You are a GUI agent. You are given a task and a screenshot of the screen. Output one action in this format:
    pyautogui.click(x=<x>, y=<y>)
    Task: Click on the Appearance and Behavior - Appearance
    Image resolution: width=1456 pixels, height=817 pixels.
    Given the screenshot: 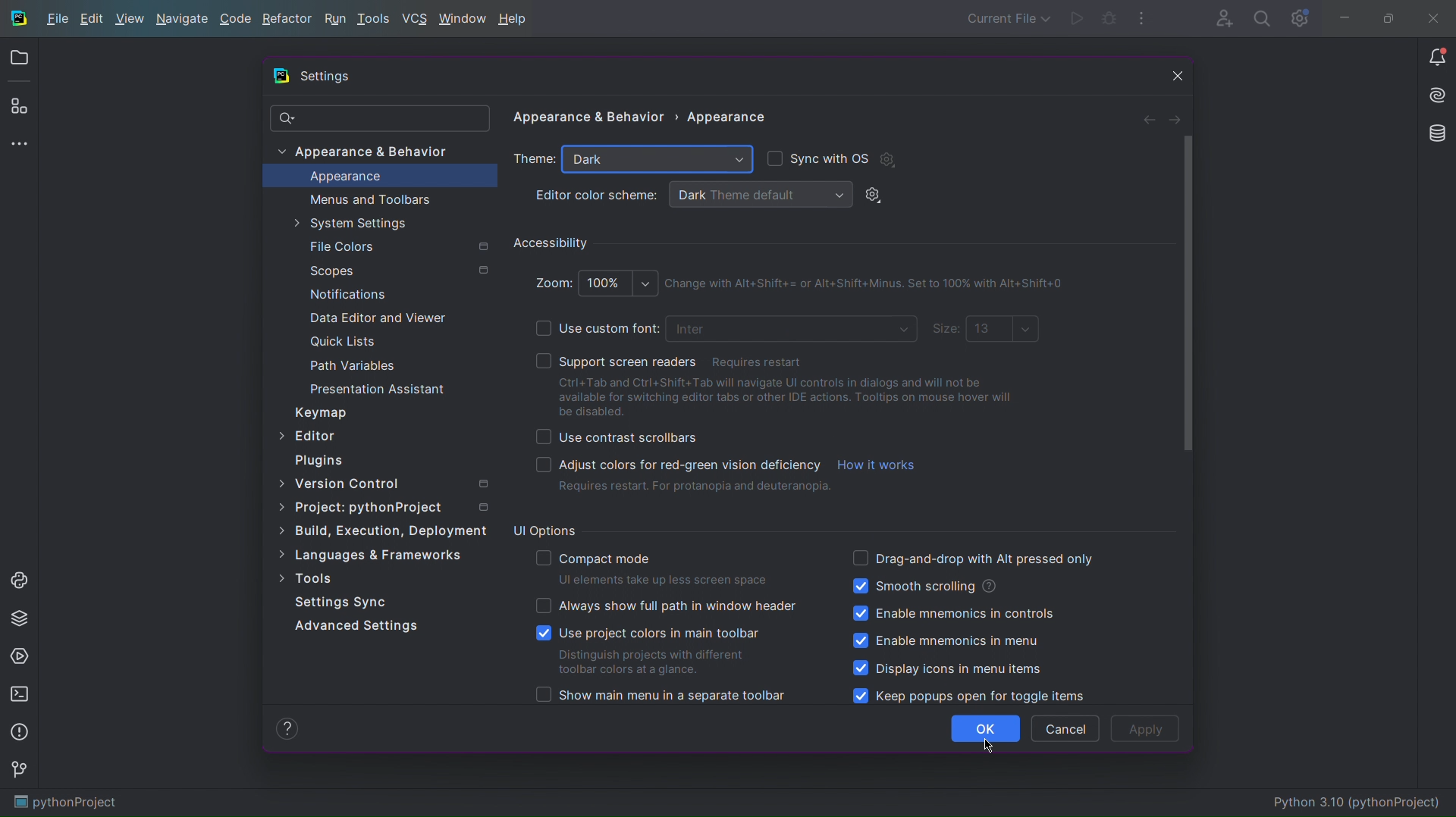 What is the action you would take?
    pyautogui.click(x=644, y=121)
    